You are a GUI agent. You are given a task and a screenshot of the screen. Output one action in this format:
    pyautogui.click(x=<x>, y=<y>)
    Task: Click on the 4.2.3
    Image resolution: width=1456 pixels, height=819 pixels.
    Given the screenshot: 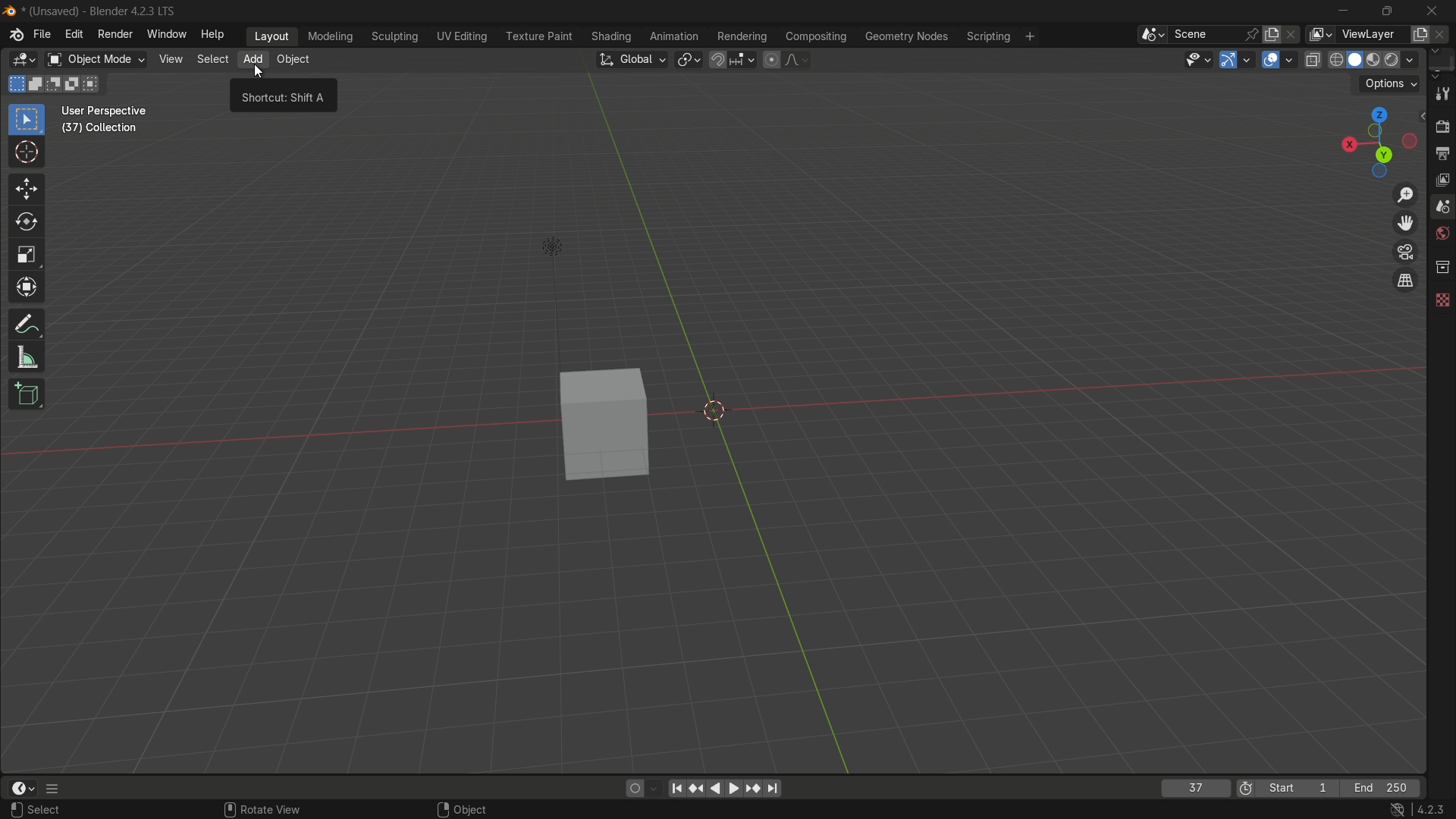 What is the action you would take?
    pyautogui.click(x=1406, y=811)
    